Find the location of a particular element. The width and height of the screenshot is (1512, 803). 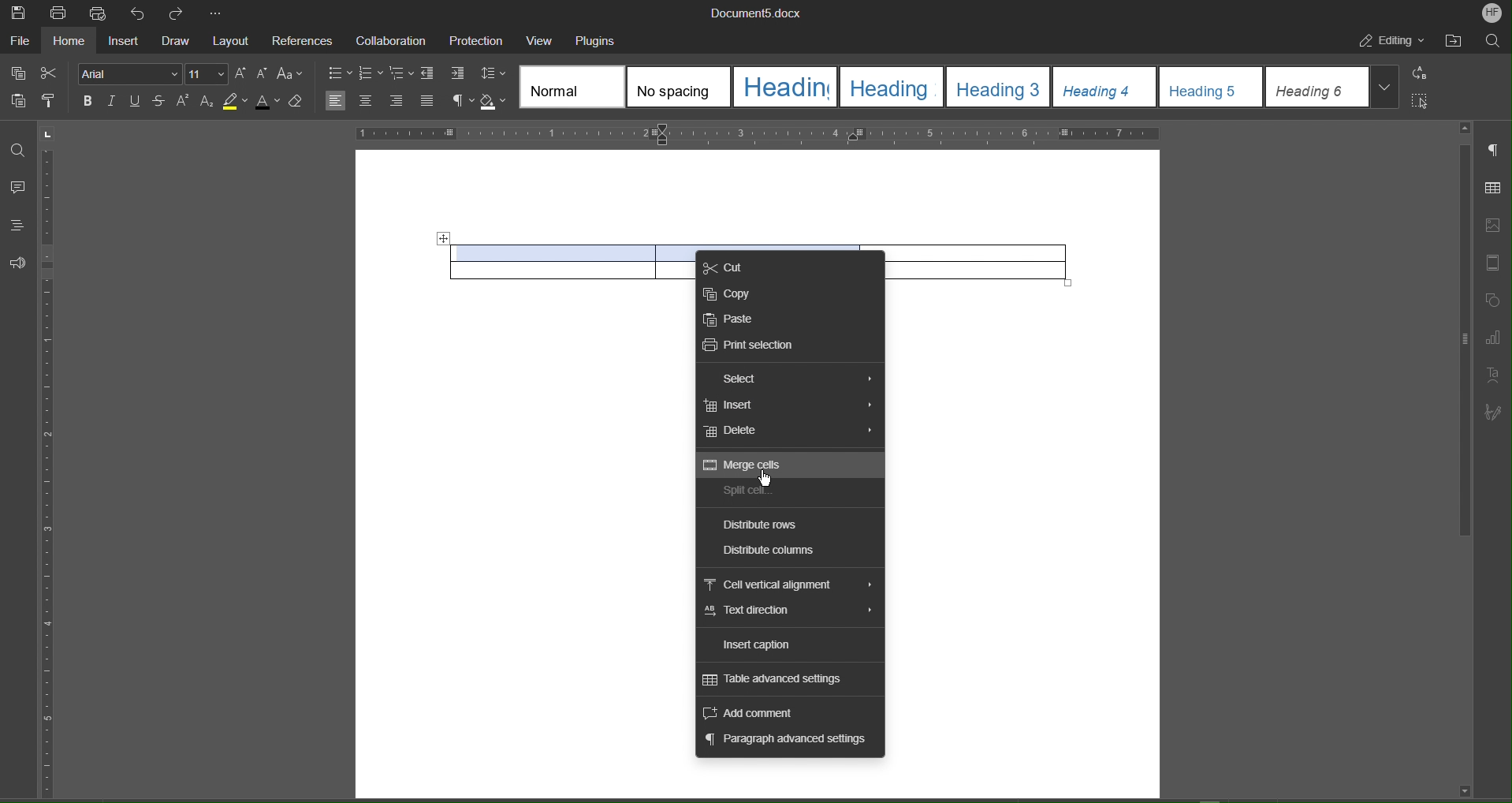

Header and Footer is located at coordinates (1495, 263).